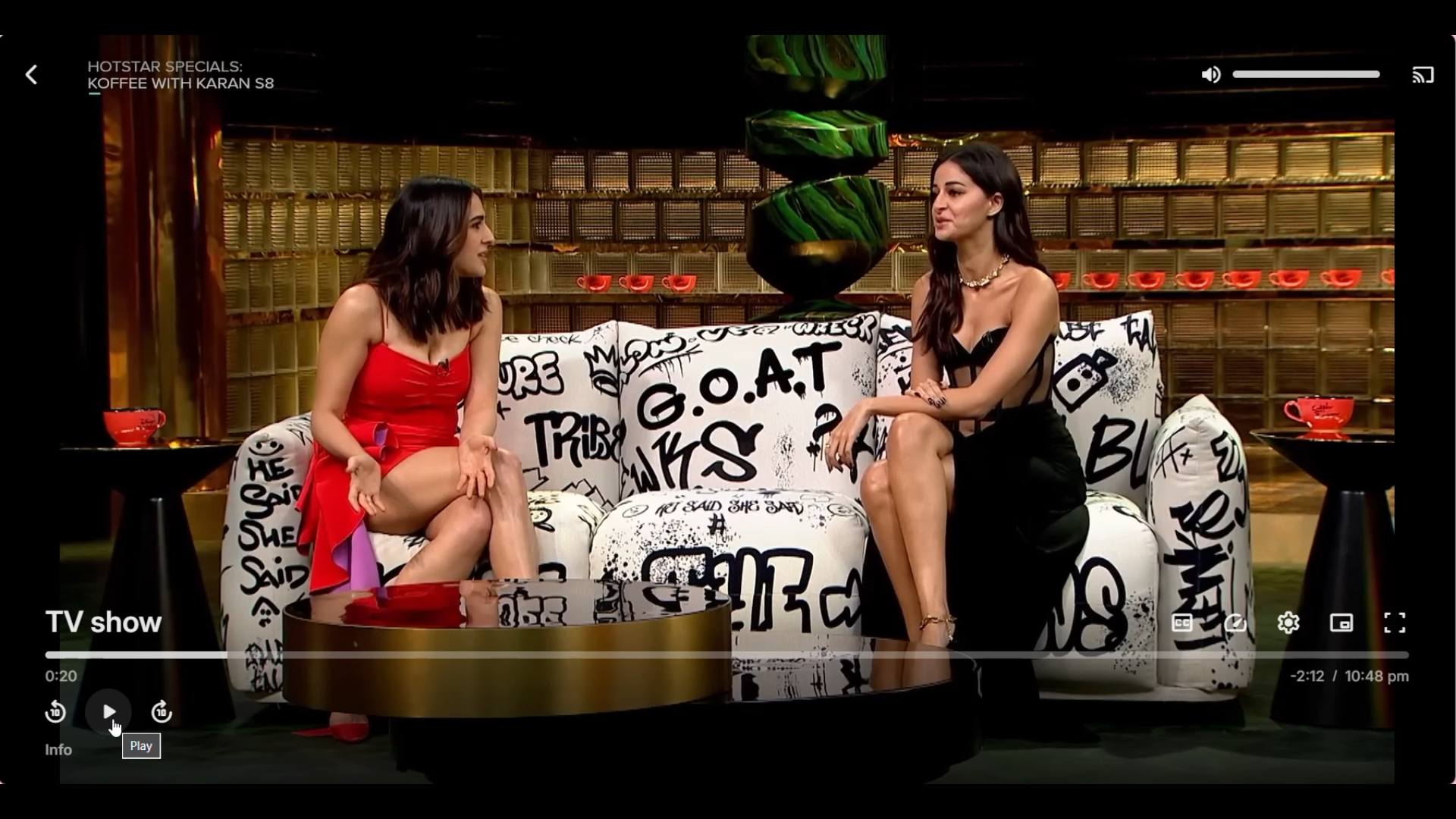 Image resolution: width=1456 pixels, height=819 pixels. What do you see at coordinates (1341, 623) in the screenshot?
I see `Picture in picture` at bounding box center [1341, 623].